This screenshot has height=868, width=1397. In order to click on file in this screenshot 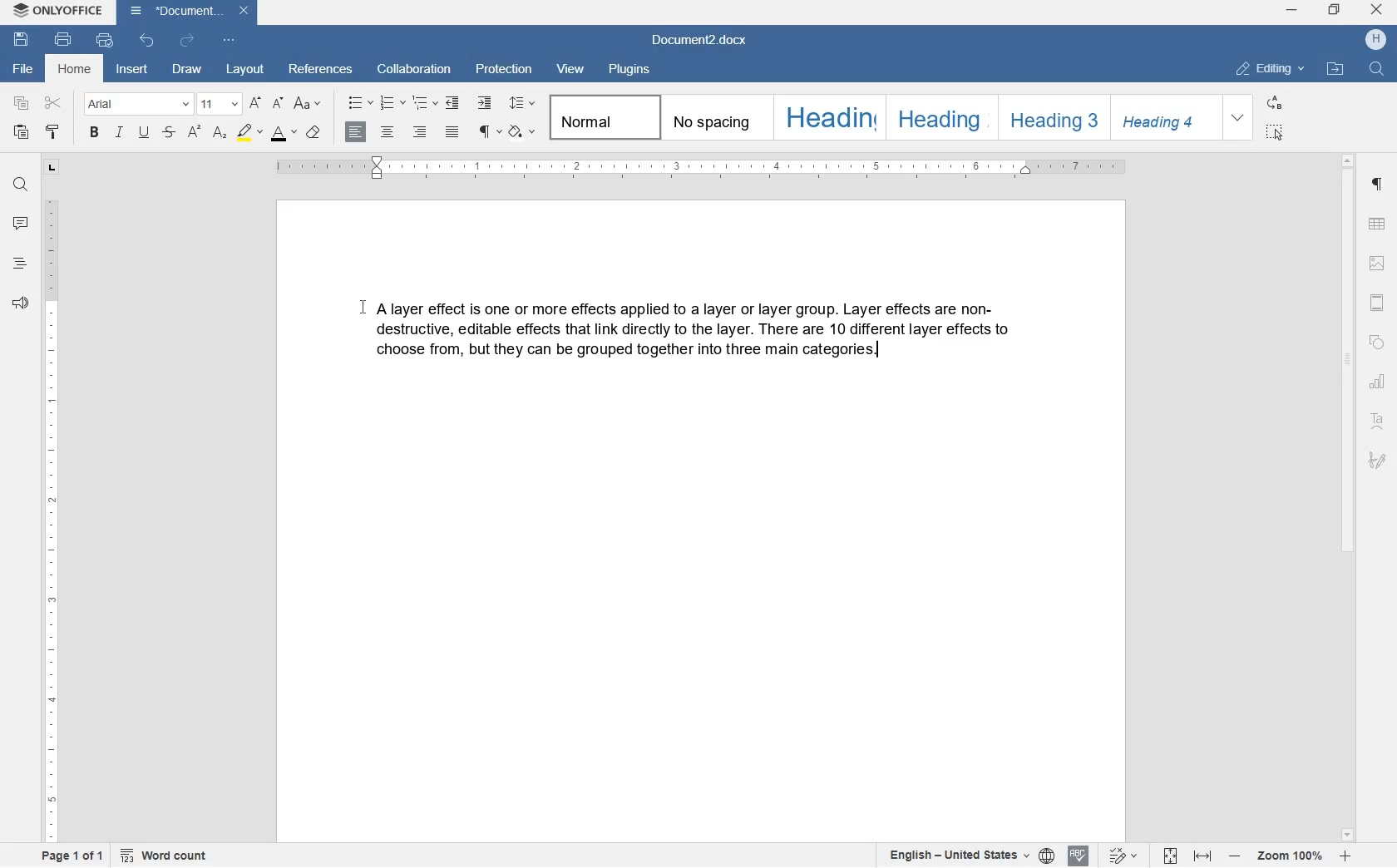, I will do `click(23, 69)`.